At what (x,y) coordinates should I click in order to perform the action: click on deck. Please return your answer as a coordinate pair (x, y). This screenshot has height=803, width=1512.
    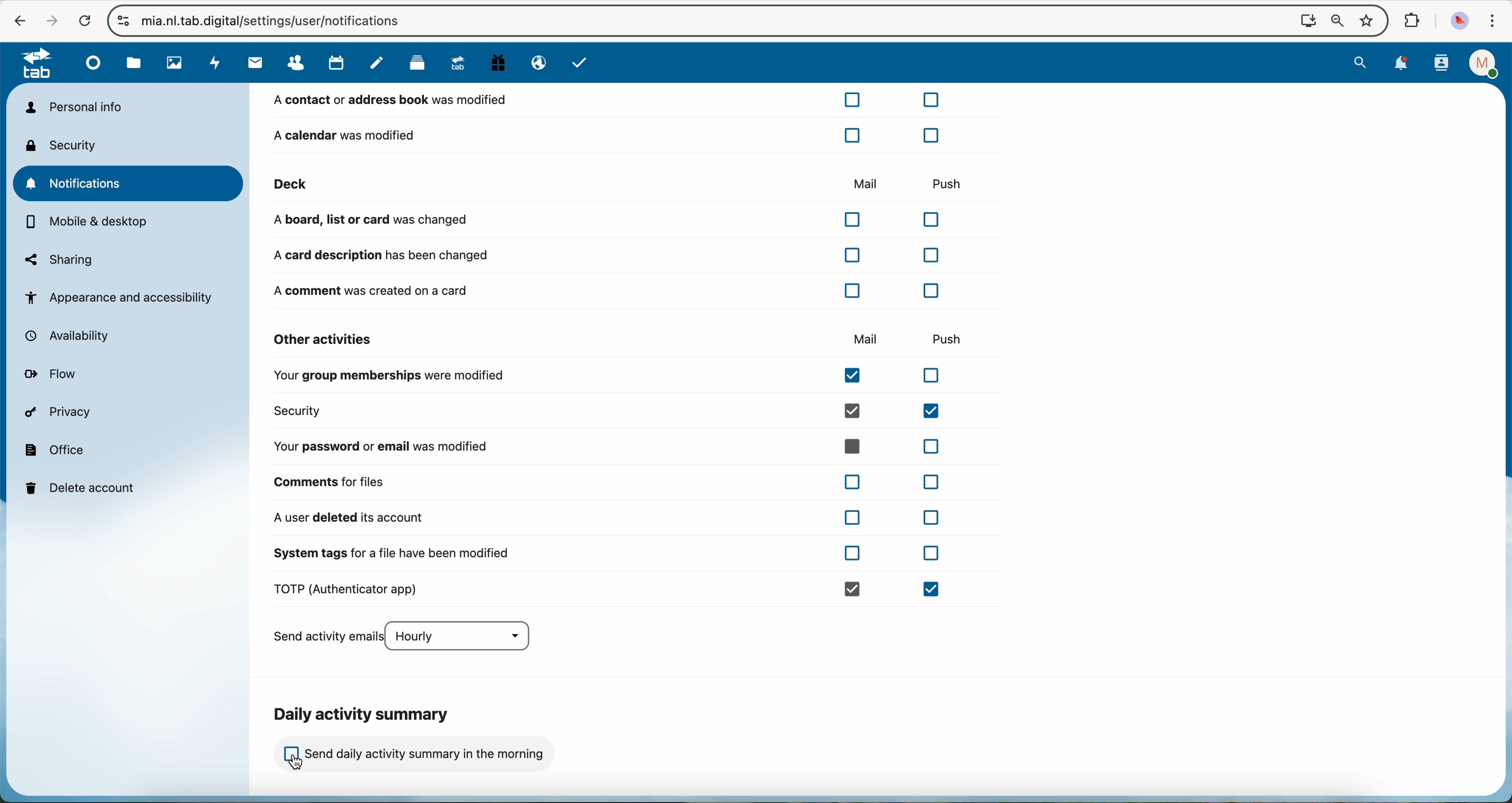
    Looking at the image, I should click on (417, 66).